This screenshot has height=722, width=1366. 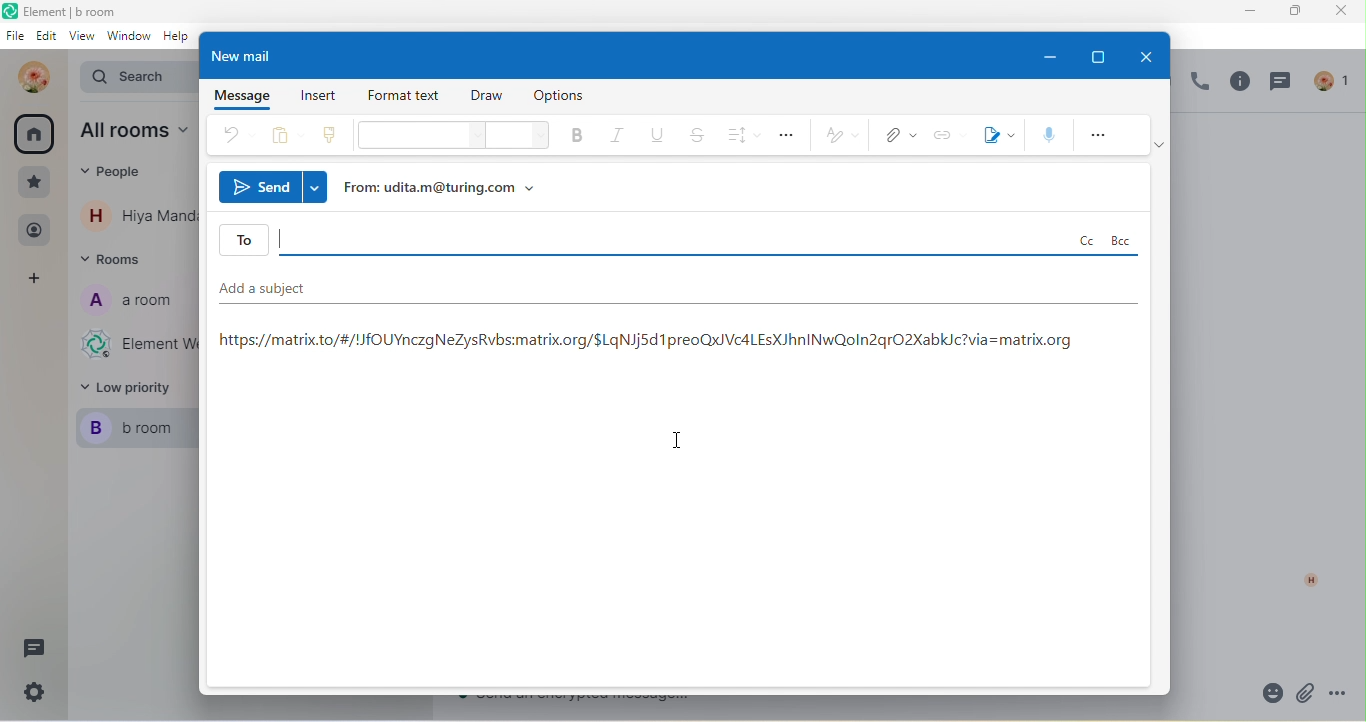 I want to click on option, so click(x=564, y=96).